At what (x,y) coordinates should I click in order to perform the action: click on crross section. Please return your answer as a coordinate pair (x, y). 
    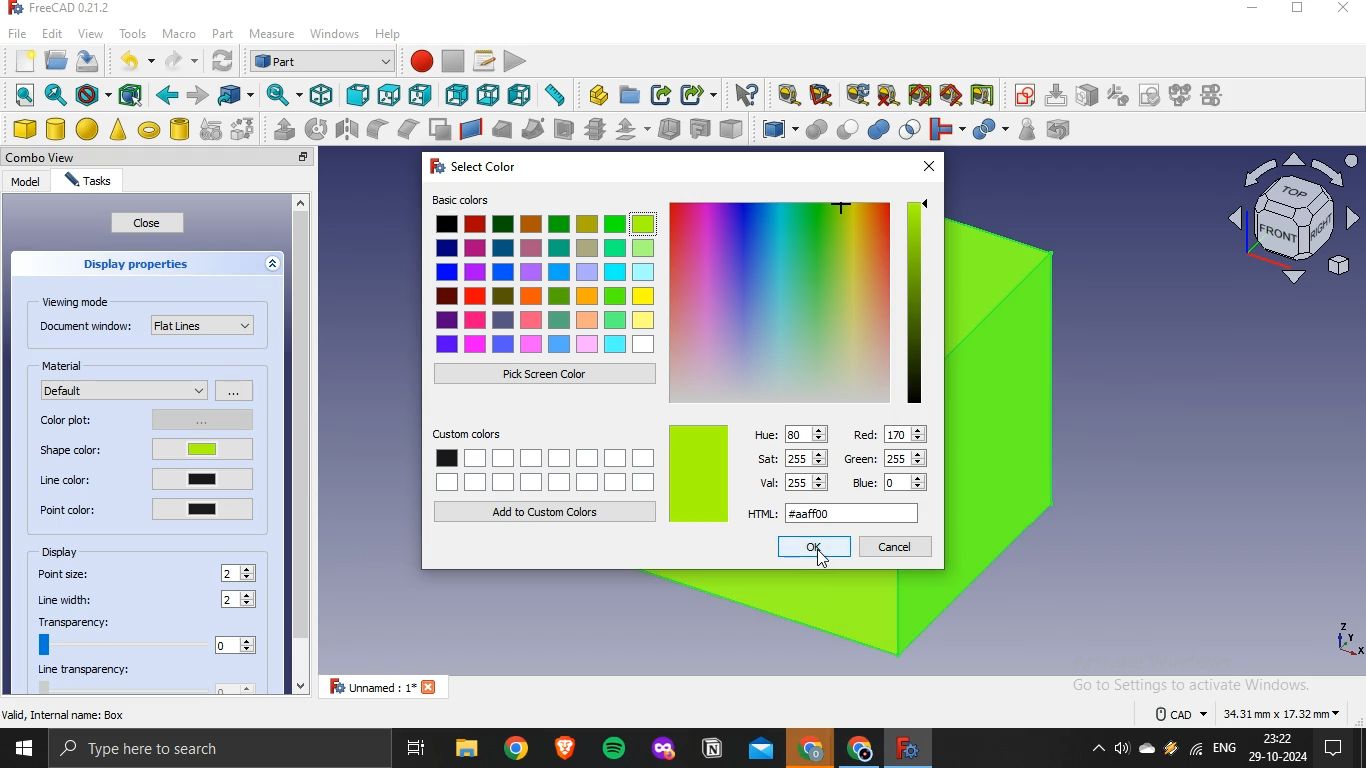
    Looking at the image, I should click on (595, 128).